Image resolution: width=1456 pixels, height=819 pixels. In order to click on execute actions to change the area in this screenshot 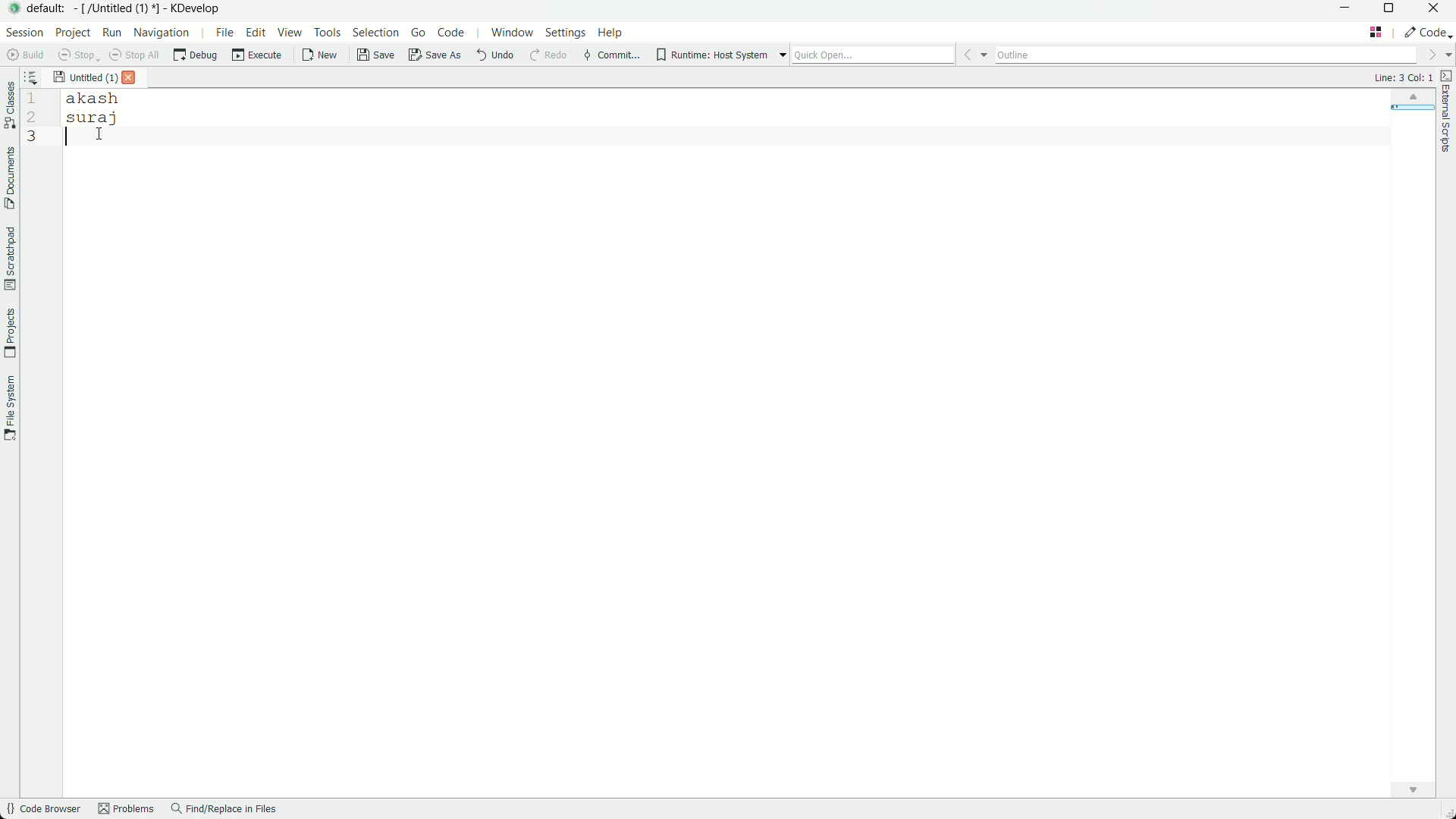, I will do `click(1428, 32)`.